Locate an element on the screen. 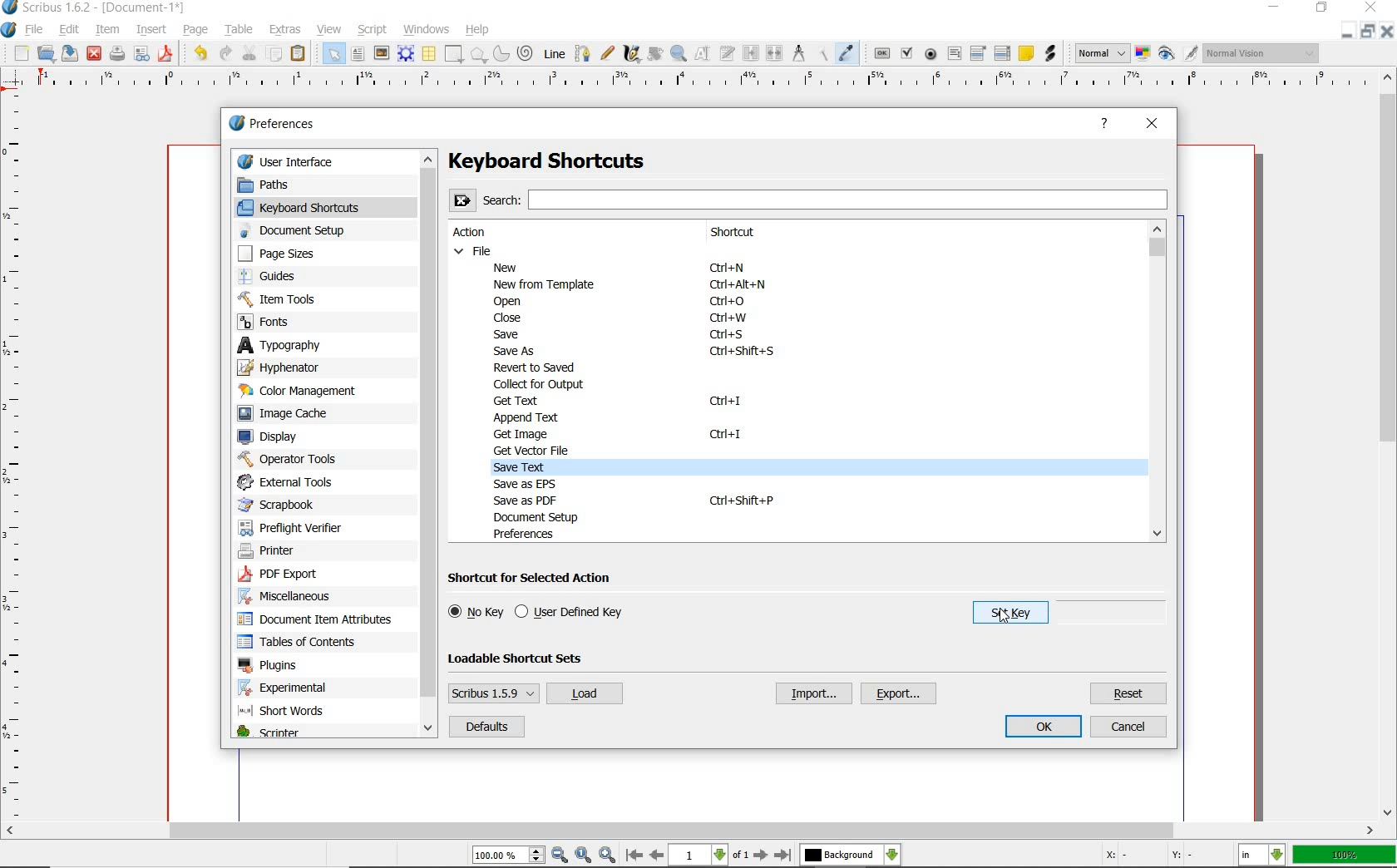 The height and width of the screenshot is (868, 1397). select the current unit is located at coordinates (1261, 856).